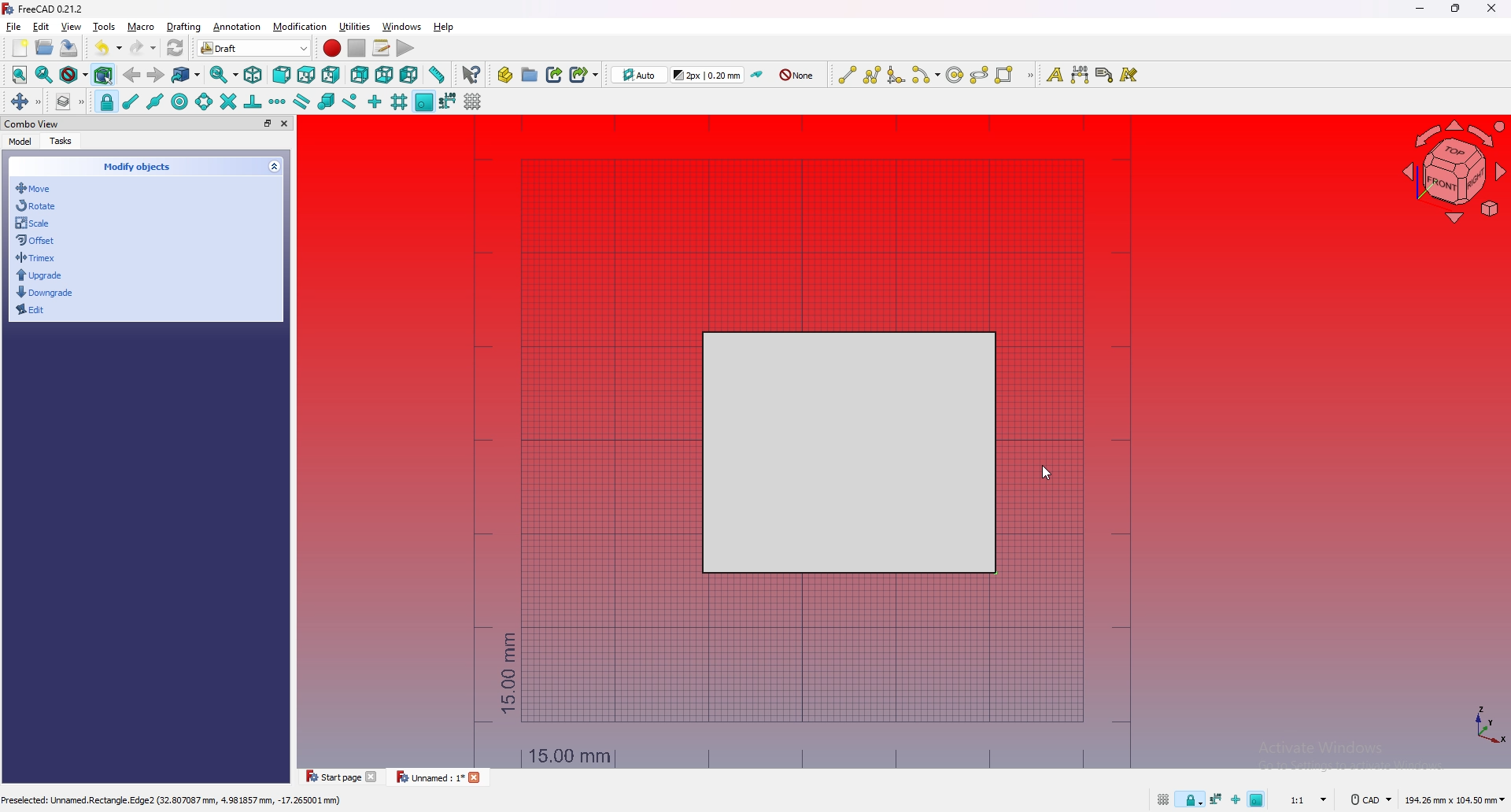 This screenshot has width=1511, height=812. What do you see at coordinates (155, 101) in the screenshot?
I see `snap midpoint` at bounding box center [155, 101].